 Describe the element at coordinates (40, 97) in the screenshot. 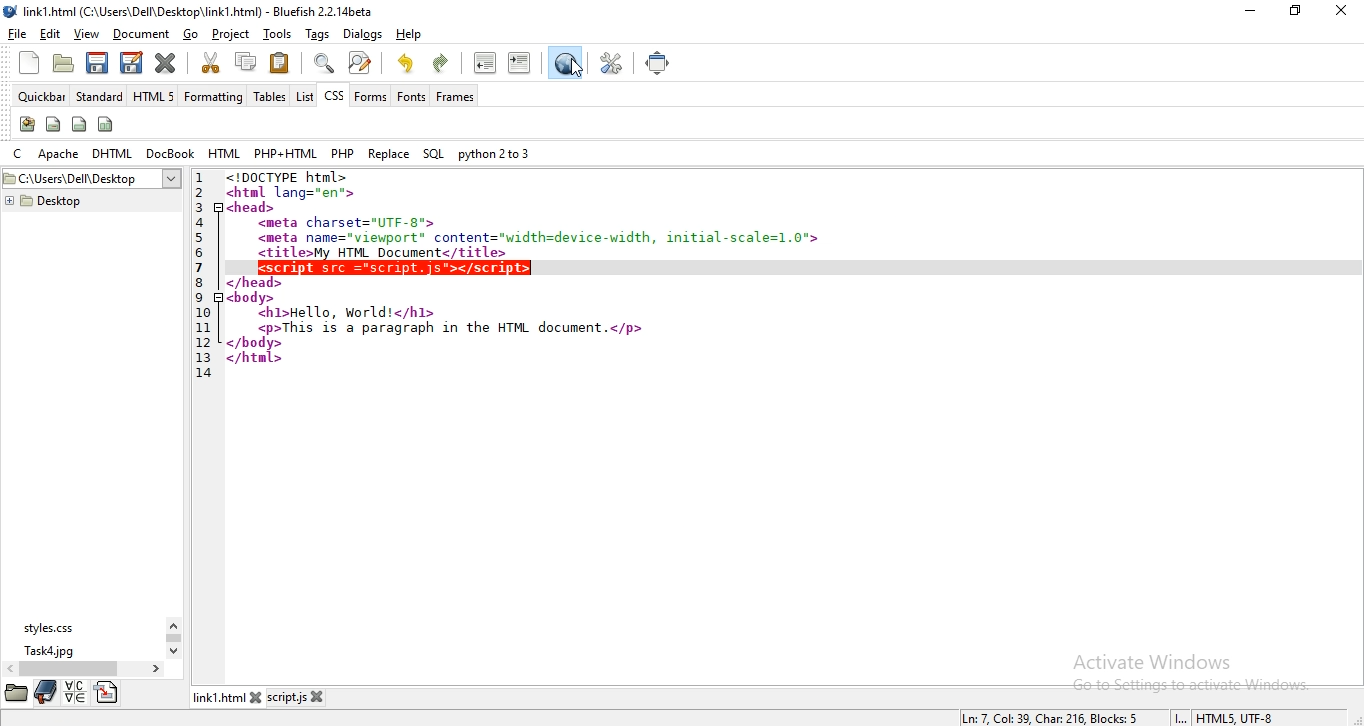

I see `quickbar` at that location.